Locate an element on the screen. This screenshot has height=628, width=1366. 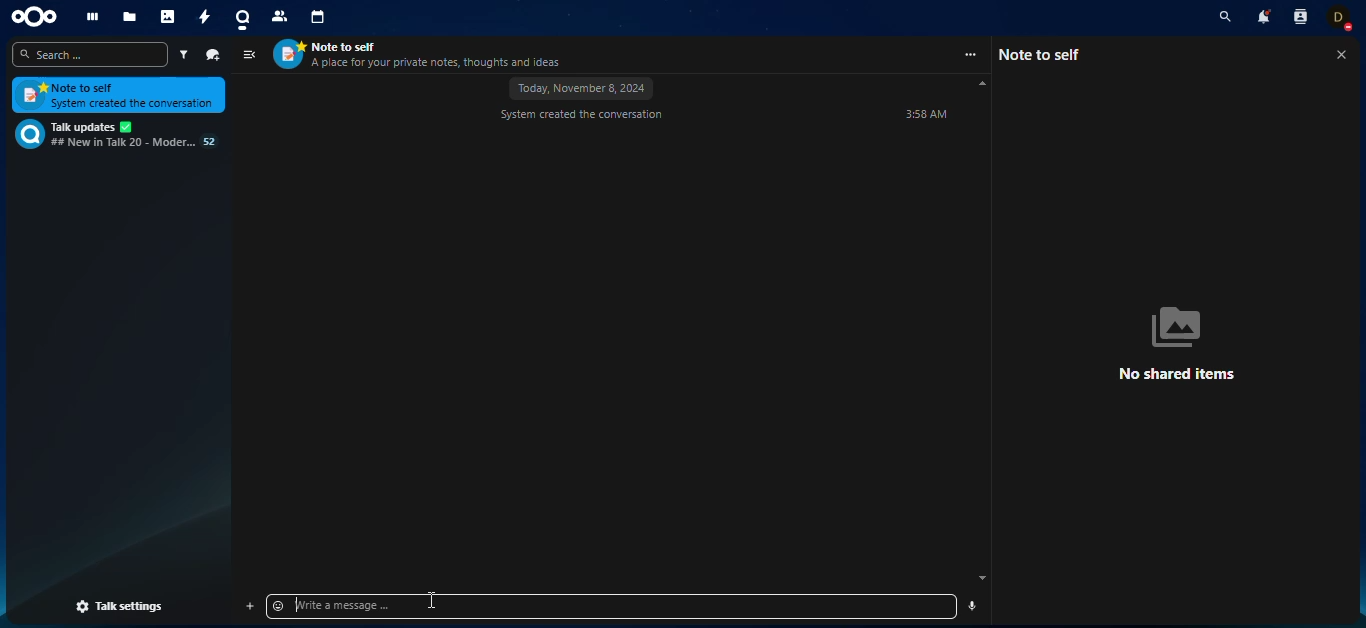
new chat is located at coordinates (214, 54).